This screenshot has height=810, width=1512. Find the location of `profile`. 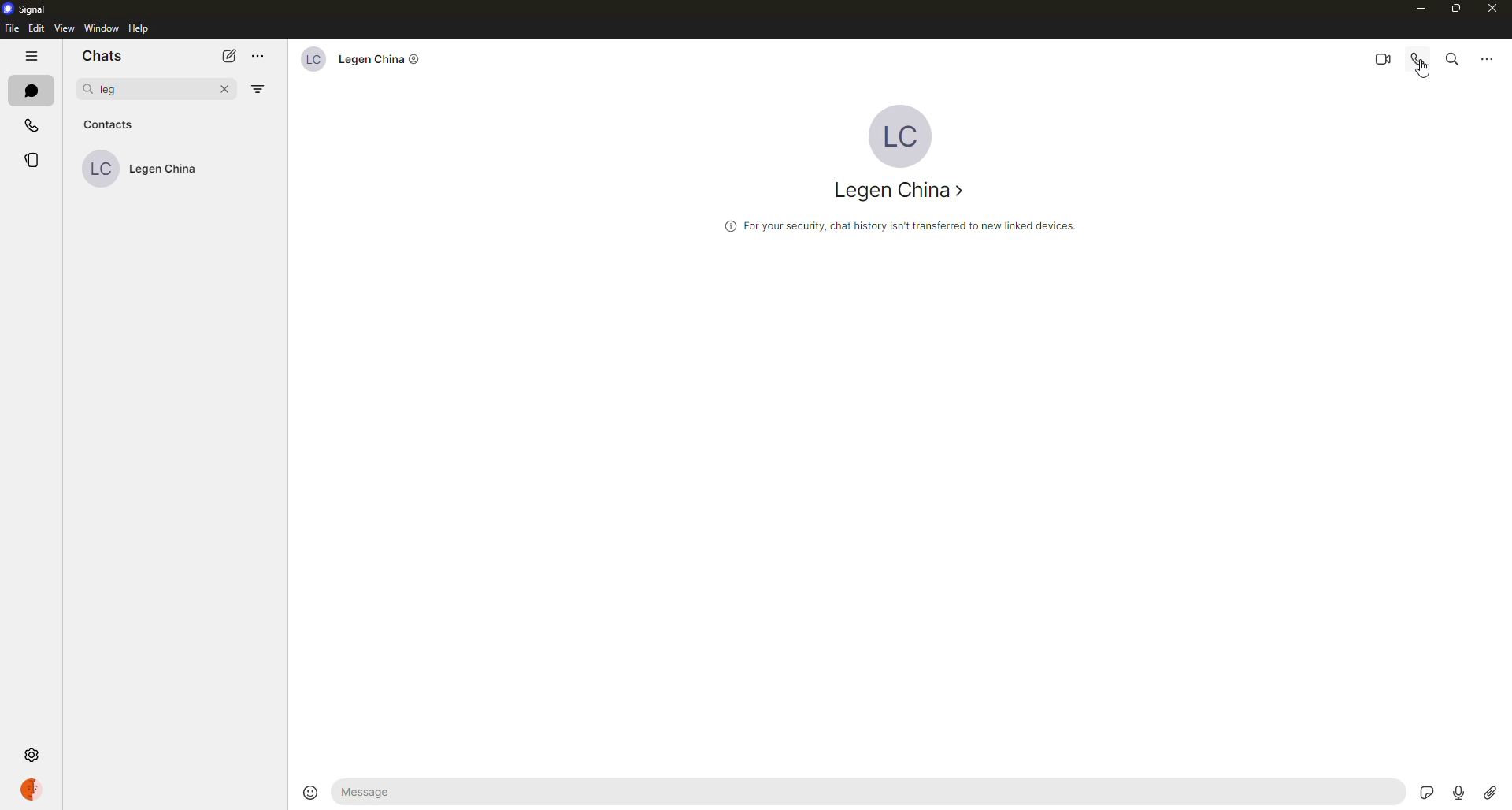

profile is located at coordinates (33, 786).